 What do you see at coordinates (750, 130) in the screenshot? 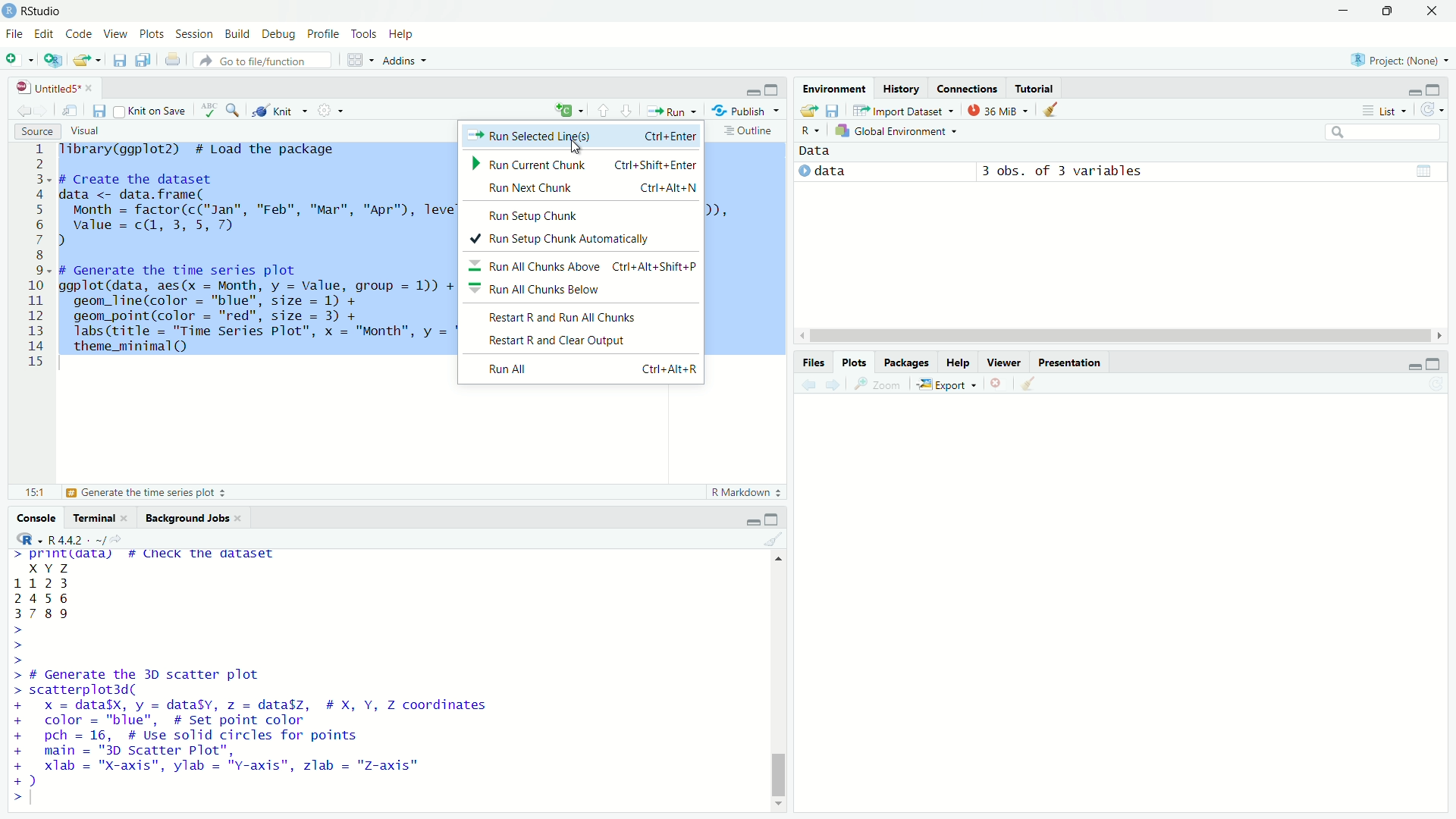
I see `outline` at bounding box center [750, 130].